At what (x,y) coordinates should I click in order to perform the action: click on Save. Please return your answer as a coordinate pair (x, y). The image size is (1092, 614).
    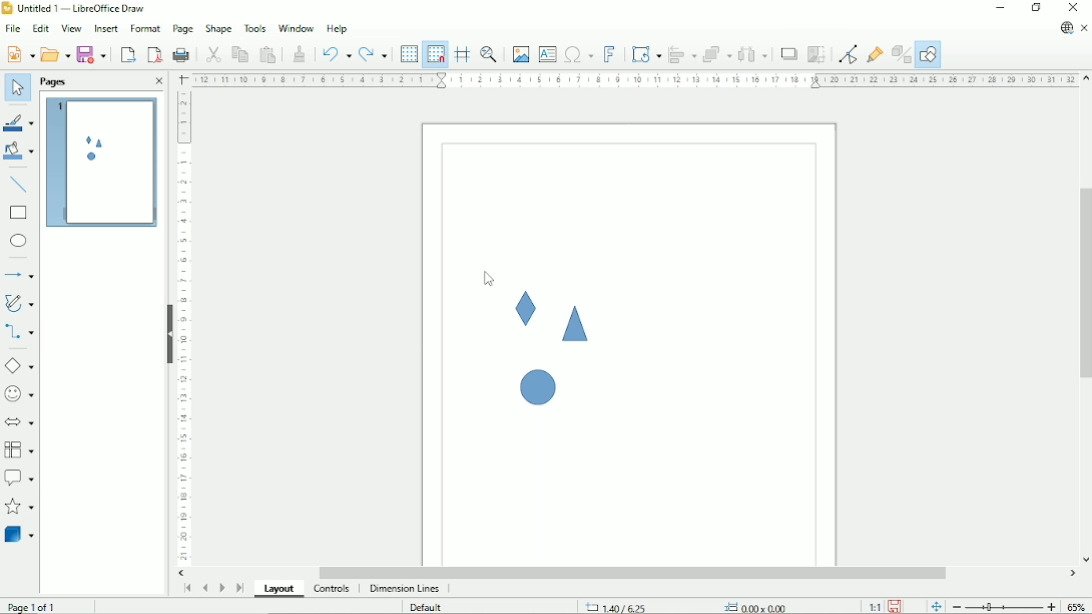
    Looking at the image, I should click on (896, 606).